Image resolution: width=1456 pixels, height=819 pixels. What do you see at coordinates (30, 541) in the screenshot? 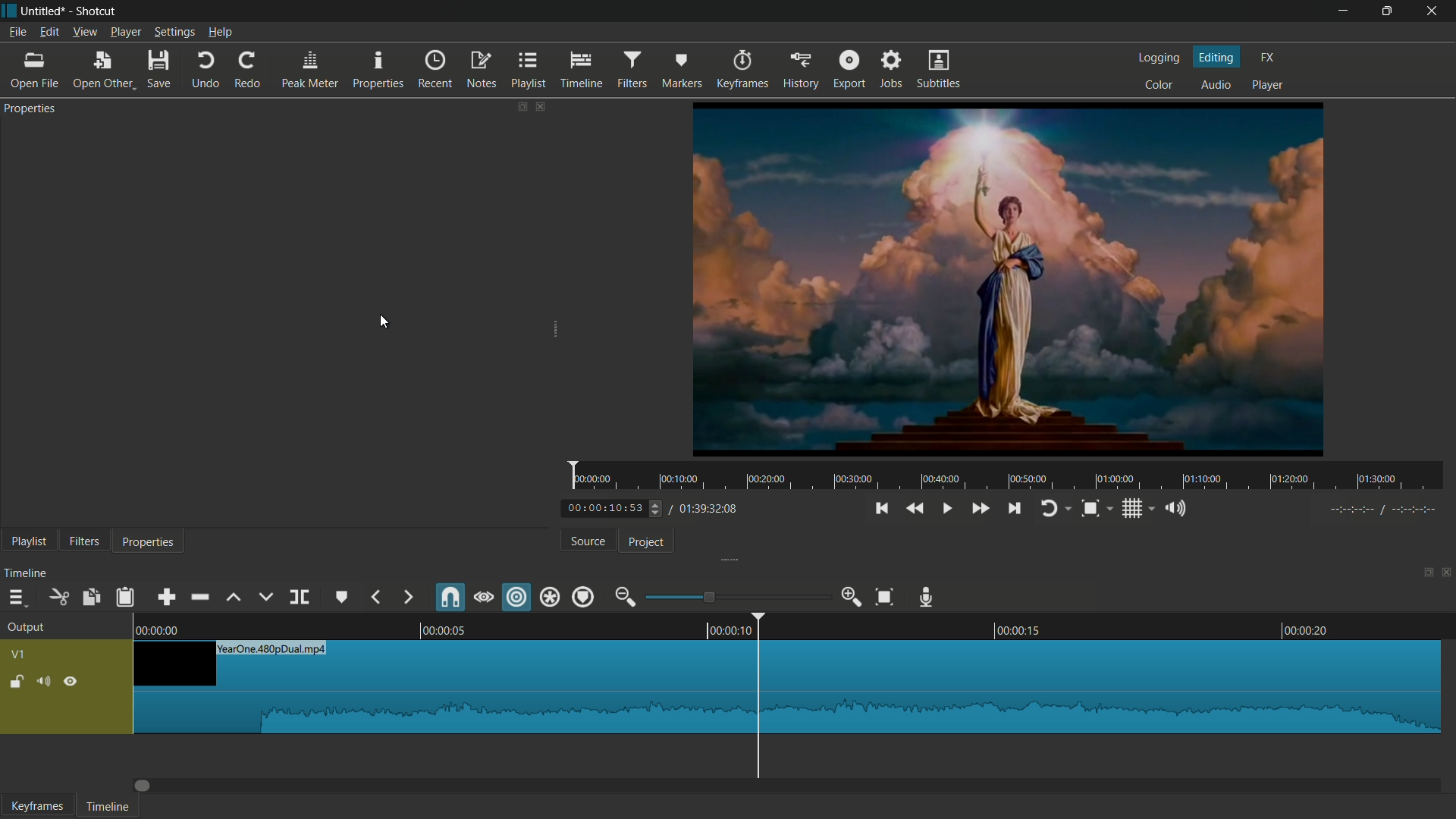
I see `playlist` at bounding box center [30, 541].